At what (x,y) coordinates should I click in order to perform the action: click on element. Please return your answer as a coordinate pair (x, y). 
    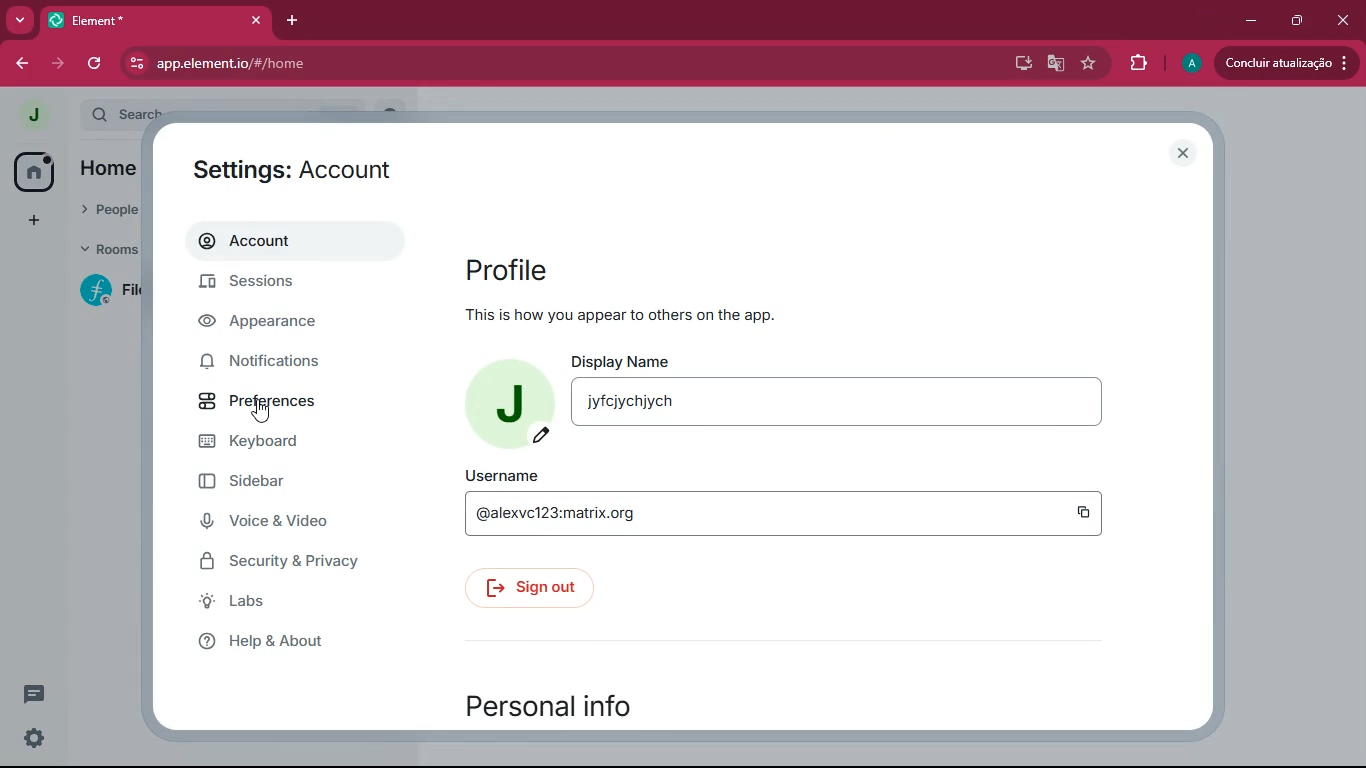
    Looking at the image, I should click on (155, 20).